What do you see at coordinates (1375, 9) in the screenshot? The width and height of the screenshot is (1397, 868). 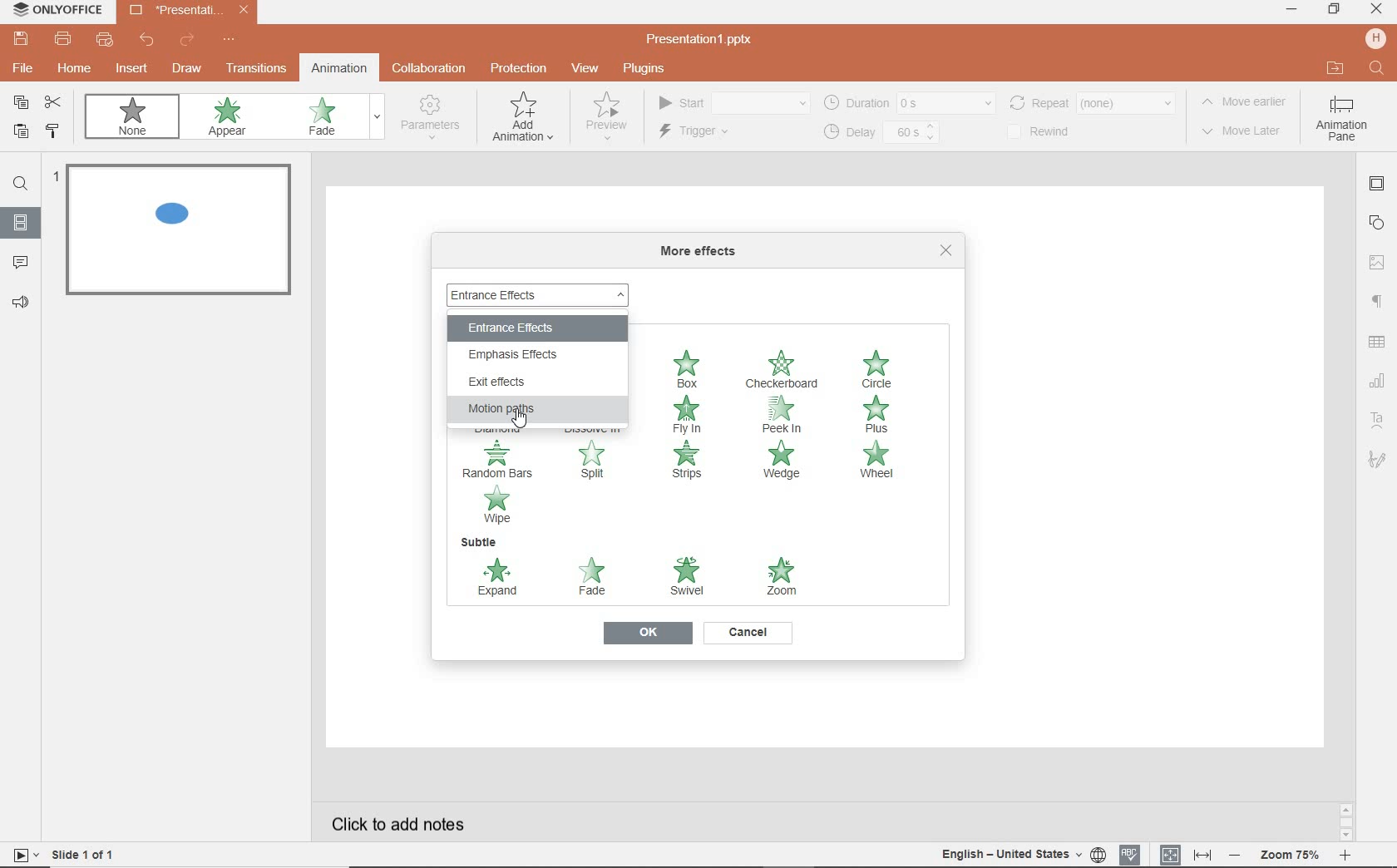 I see `CLOSE` at bounding box center [1375, 9].